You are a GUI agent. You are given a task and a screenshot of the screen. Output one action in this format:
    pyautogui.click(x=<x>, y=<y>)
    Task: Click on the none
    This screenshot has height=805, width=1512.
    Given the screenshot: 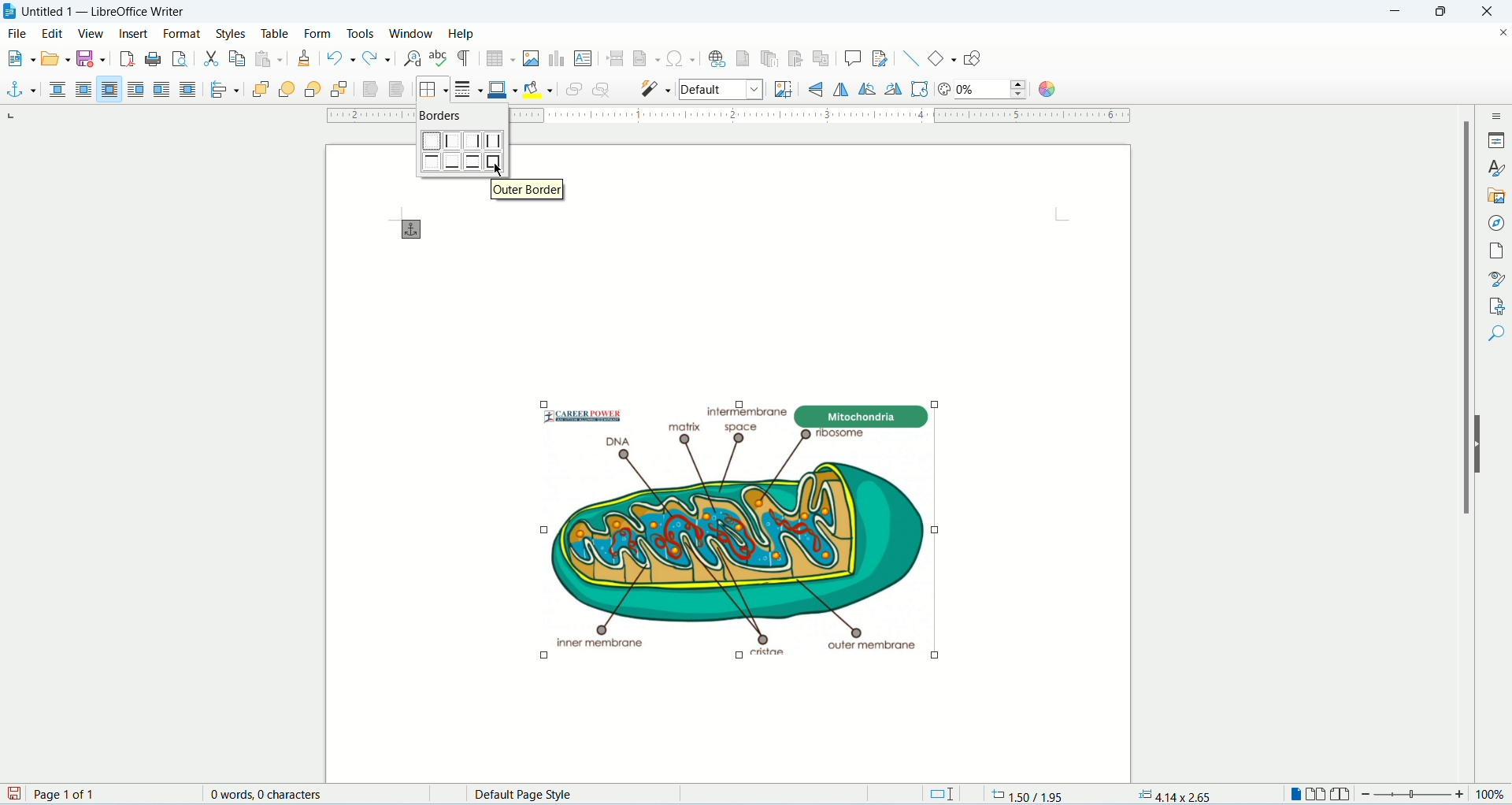 What is the action you would take?
    pyautogui.click(x=60, y=91)
    